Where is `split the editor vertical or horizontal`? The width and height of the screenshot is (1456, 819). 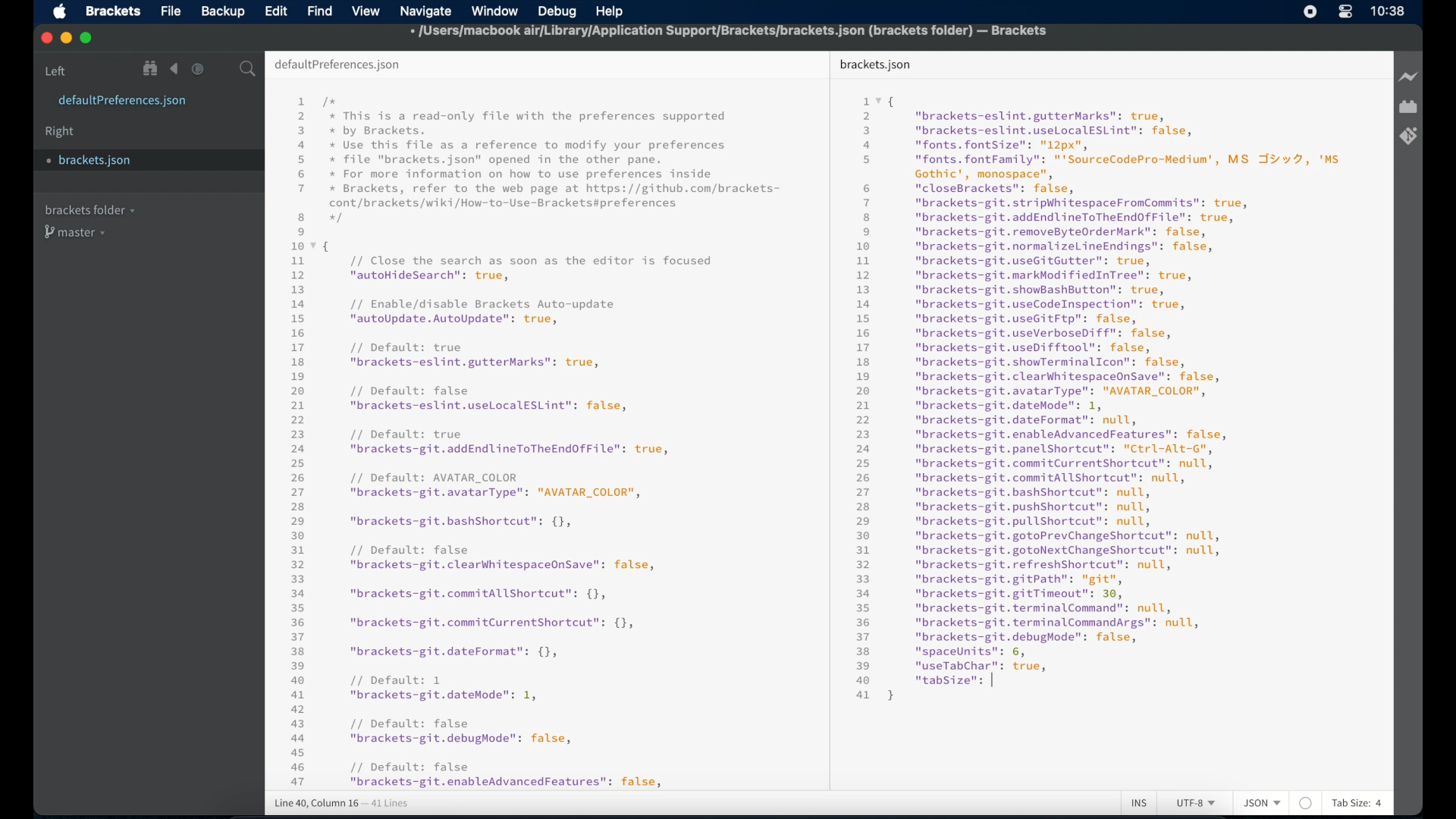
split the editor vertical or horizontal is located at coordinates (222, 70).